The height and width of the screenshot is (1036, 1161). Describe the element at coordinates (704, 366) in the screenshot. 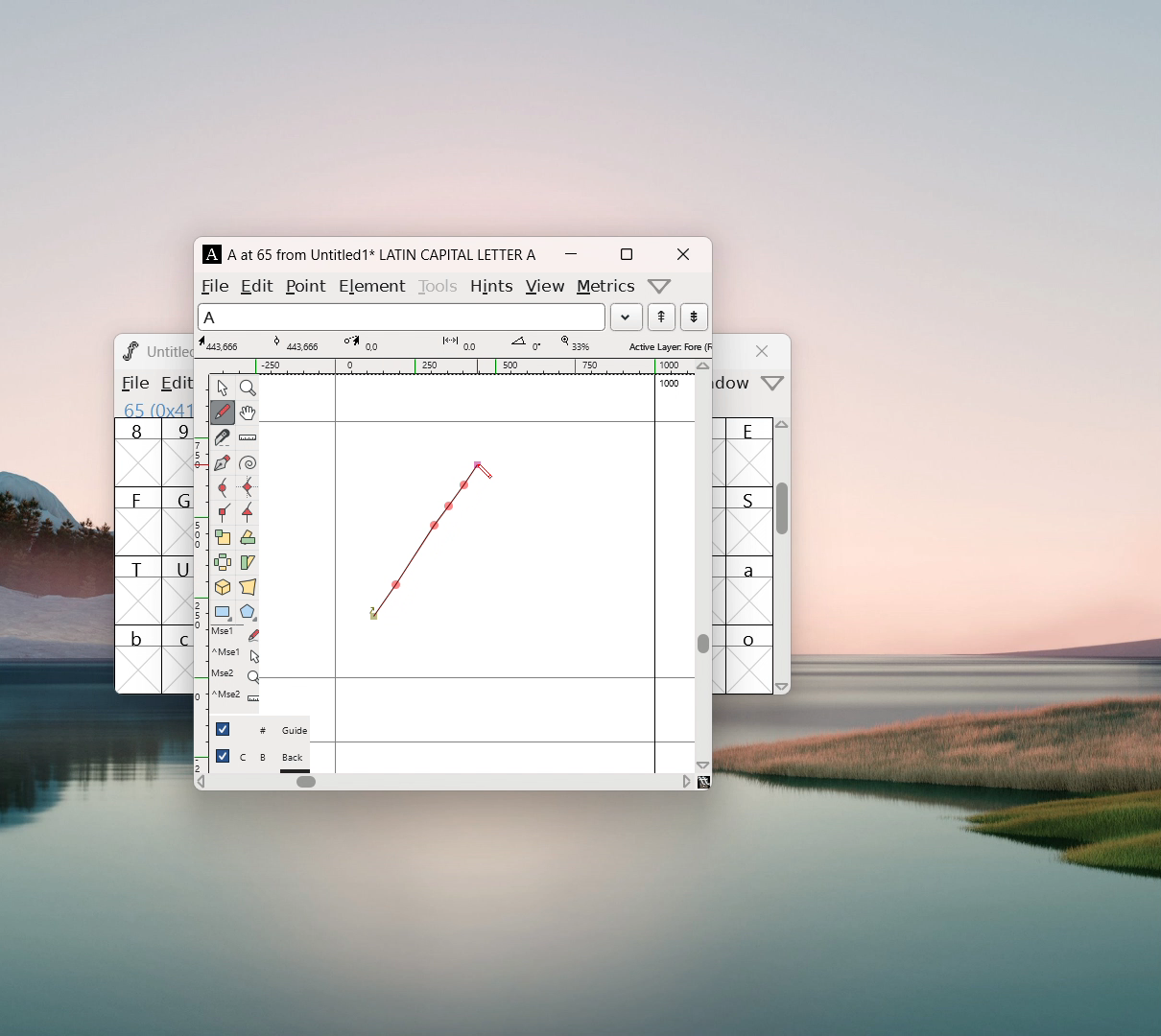

I see `scroll up` at that location.